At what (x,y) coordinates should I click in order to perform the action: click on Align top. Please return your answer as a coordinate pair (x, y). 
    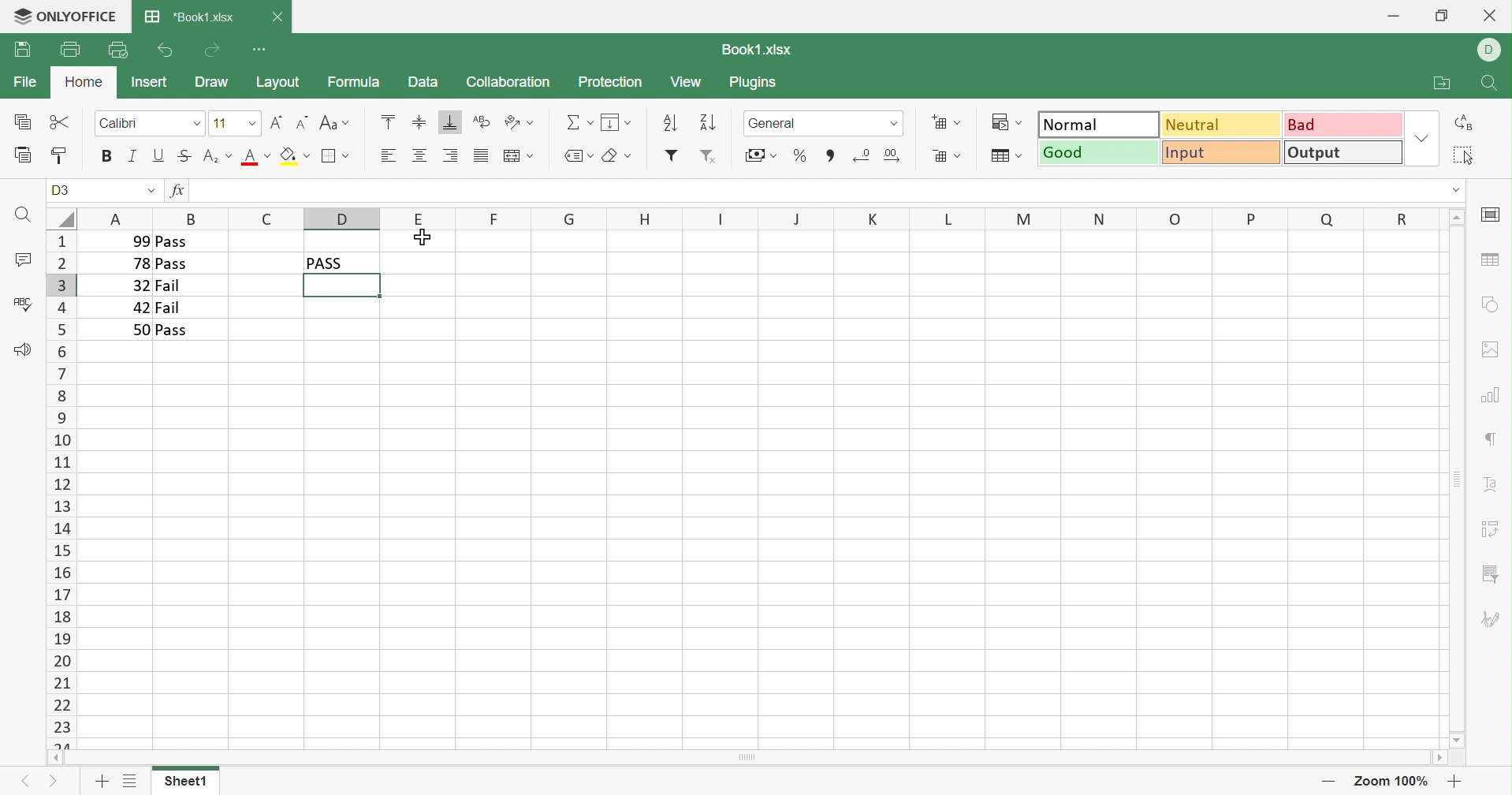
    Looking at the image, I should click on (388, 121).